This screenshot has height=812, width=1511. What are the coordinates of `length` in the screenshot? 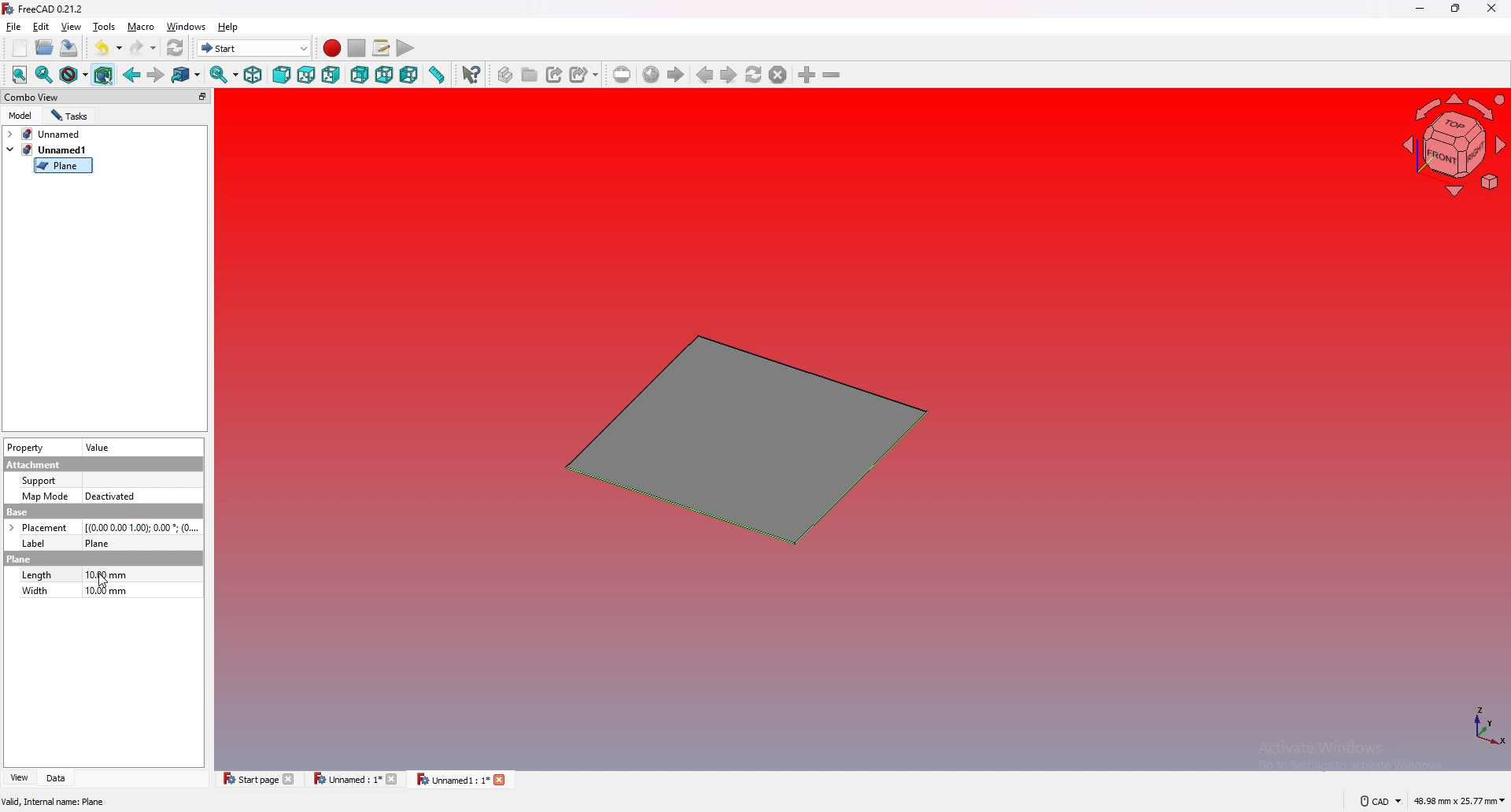 It's located at (37, 574).